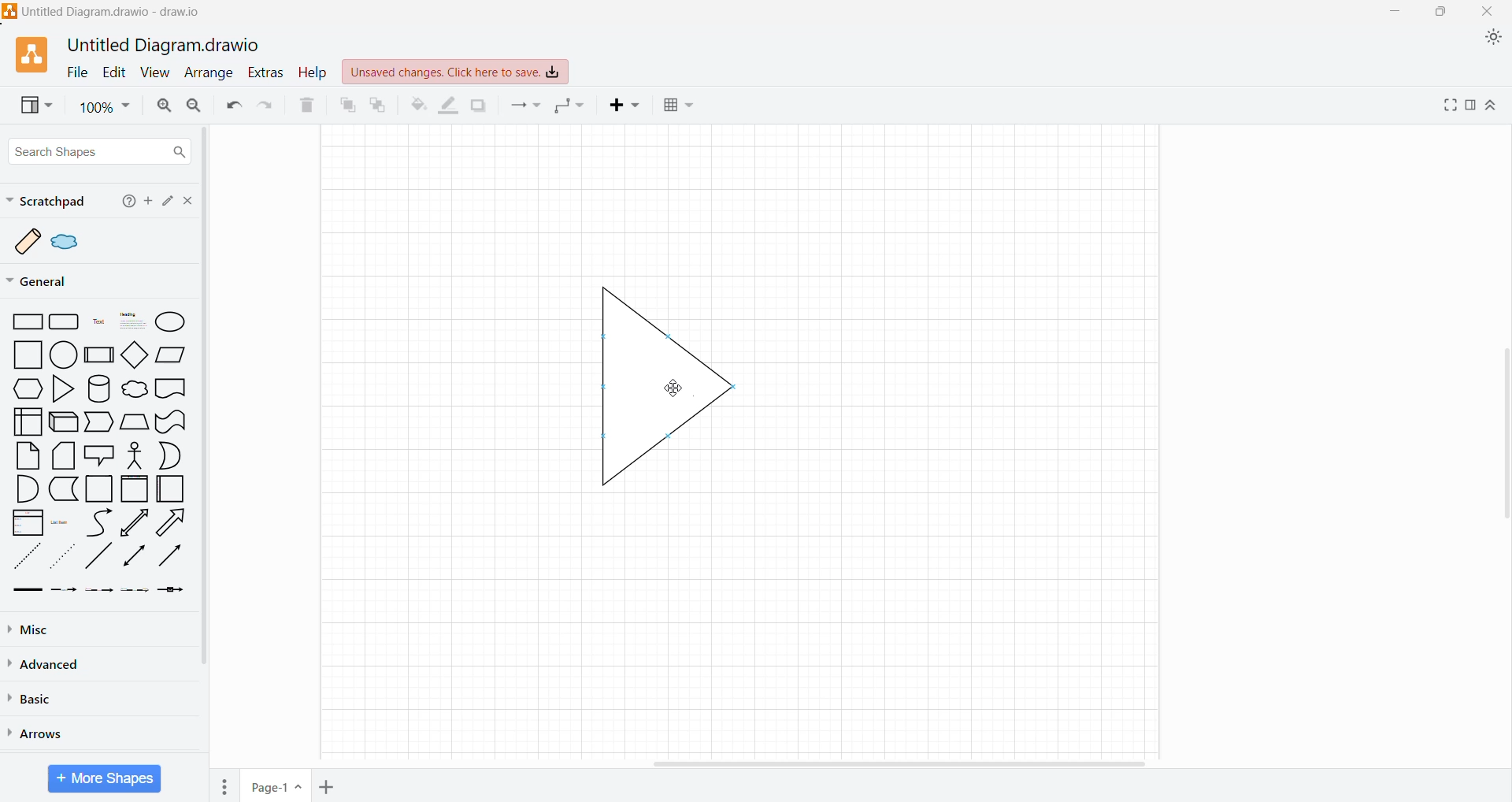 This screenshot has width=1512, height=802. I want to click on Shape, so click(629, 373).